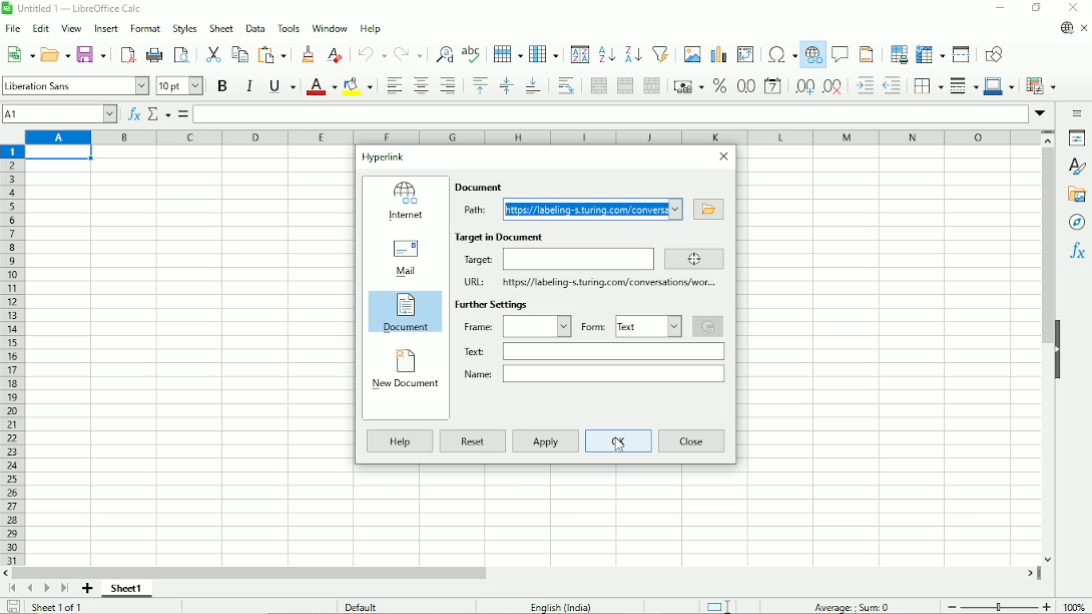 The image size is (1092, 614). I want to click on format, so click(145, 26).